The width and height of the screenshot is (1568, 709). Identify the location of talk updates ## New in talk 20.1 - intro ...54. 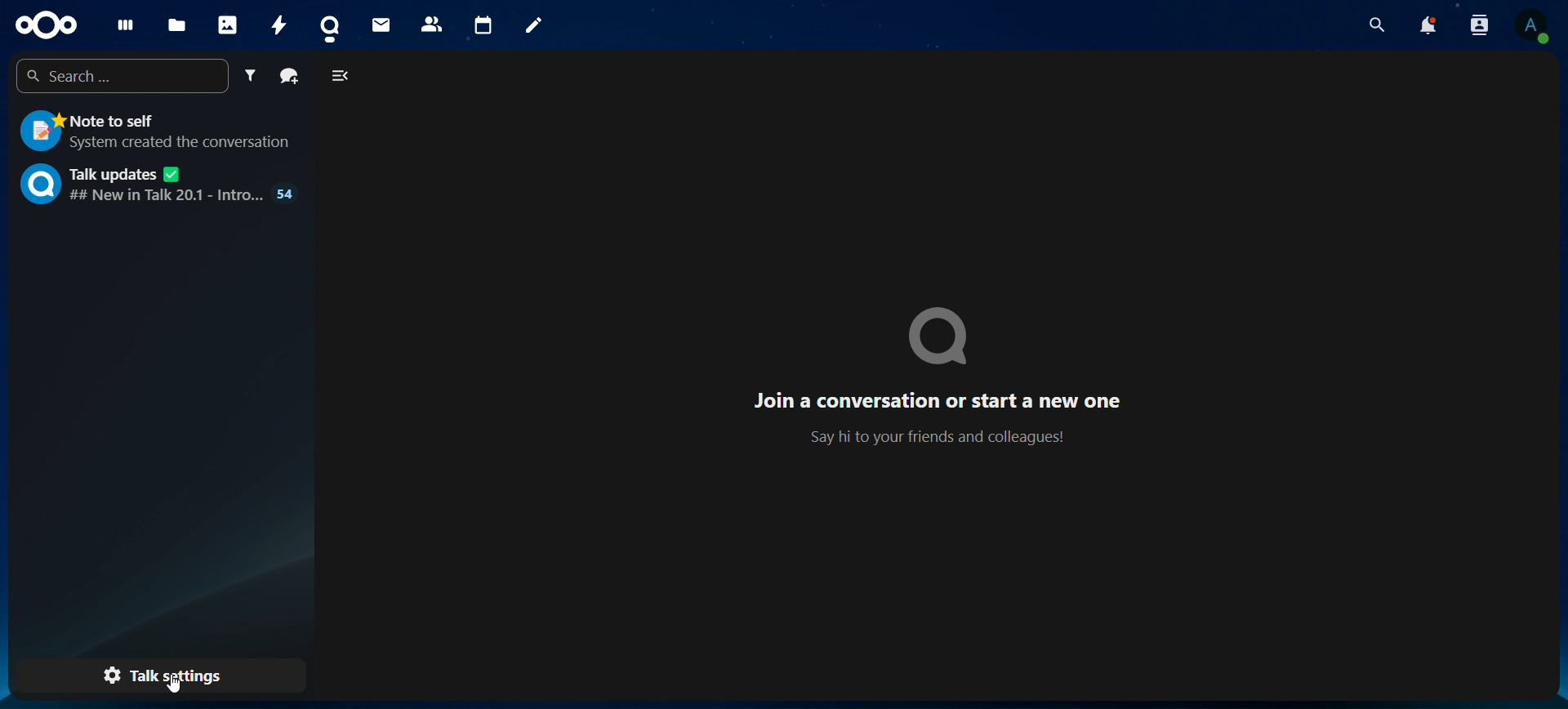
(158, 183).